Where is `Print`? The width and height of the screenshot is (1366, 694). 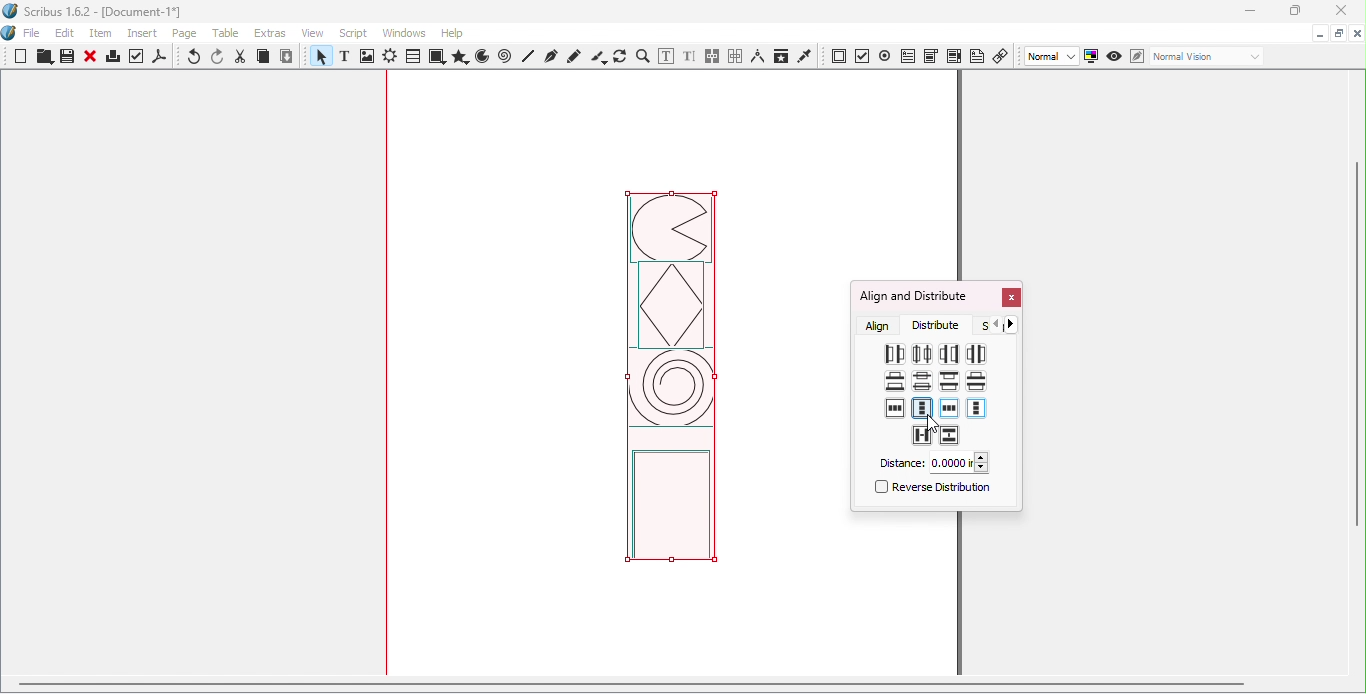 Print is located at coordinates (112, 59).